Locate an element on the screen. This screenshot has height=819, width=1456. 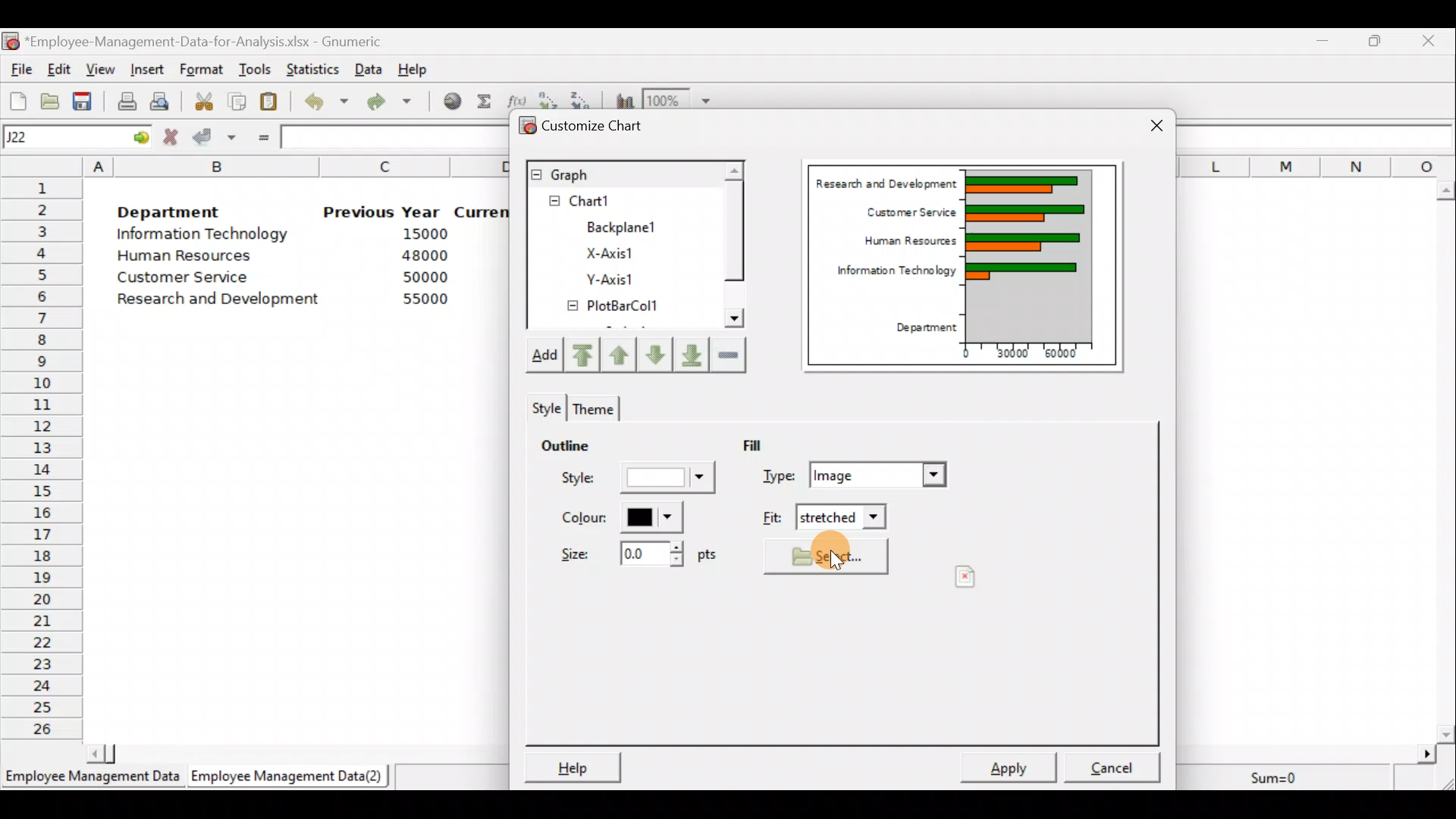
Information Technology is located at coordinates (203, 237).